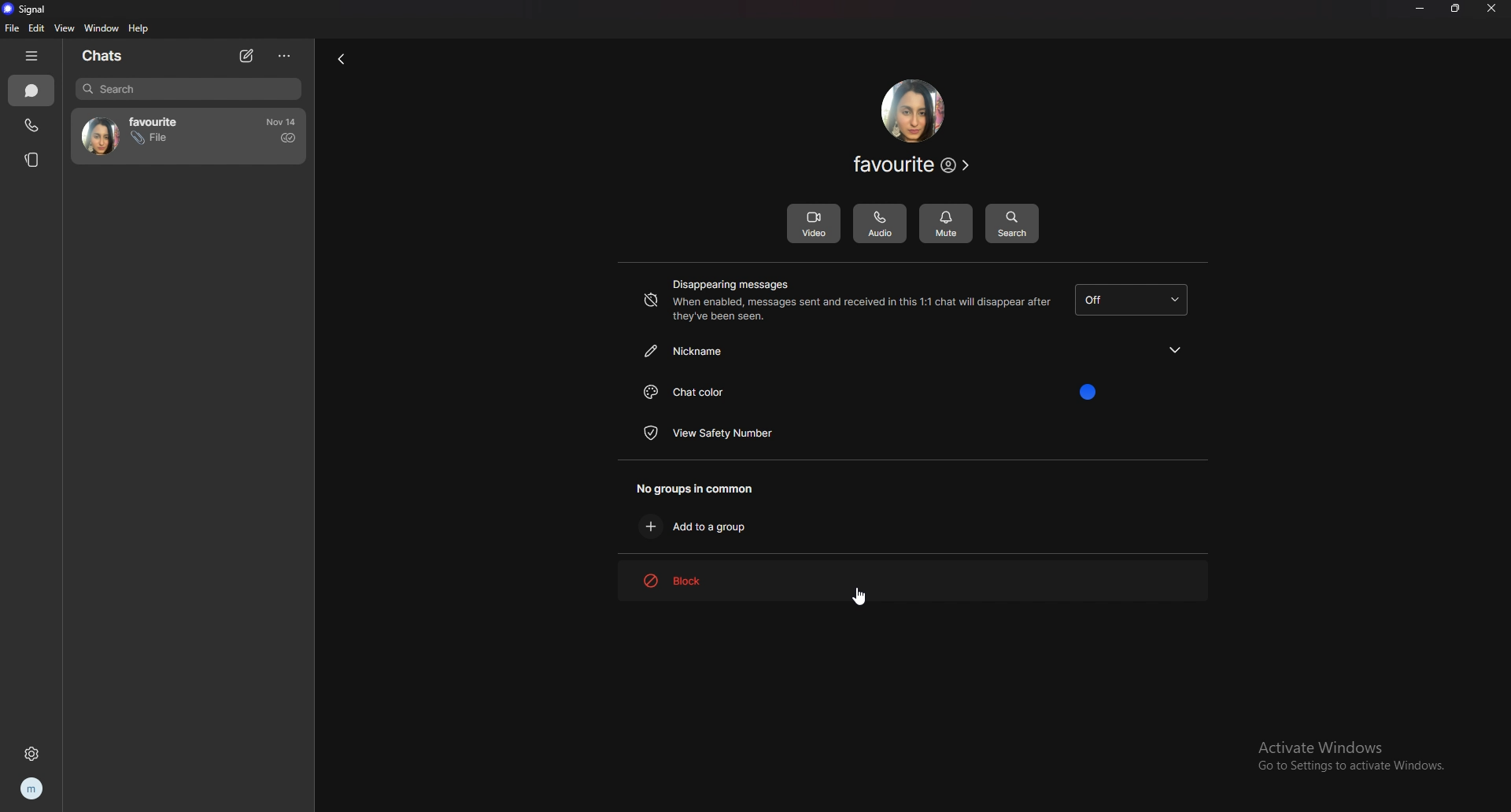 This screenshot has height=812, width=1511. I want to click on no groups in common, so click(704, 487).